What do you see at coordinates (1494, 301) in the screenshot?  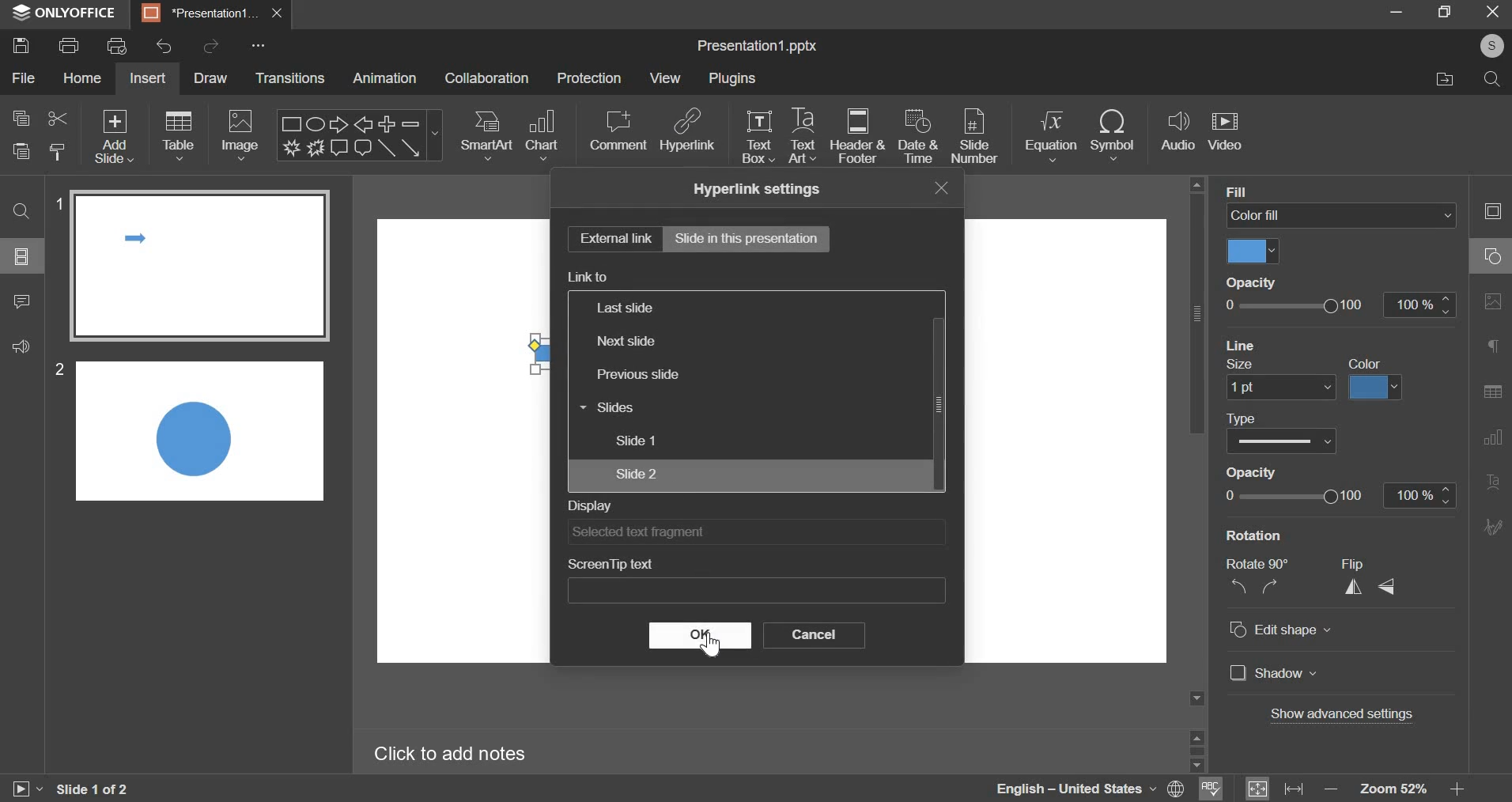 I see `Image settings` at bounding box center [1494, 301].